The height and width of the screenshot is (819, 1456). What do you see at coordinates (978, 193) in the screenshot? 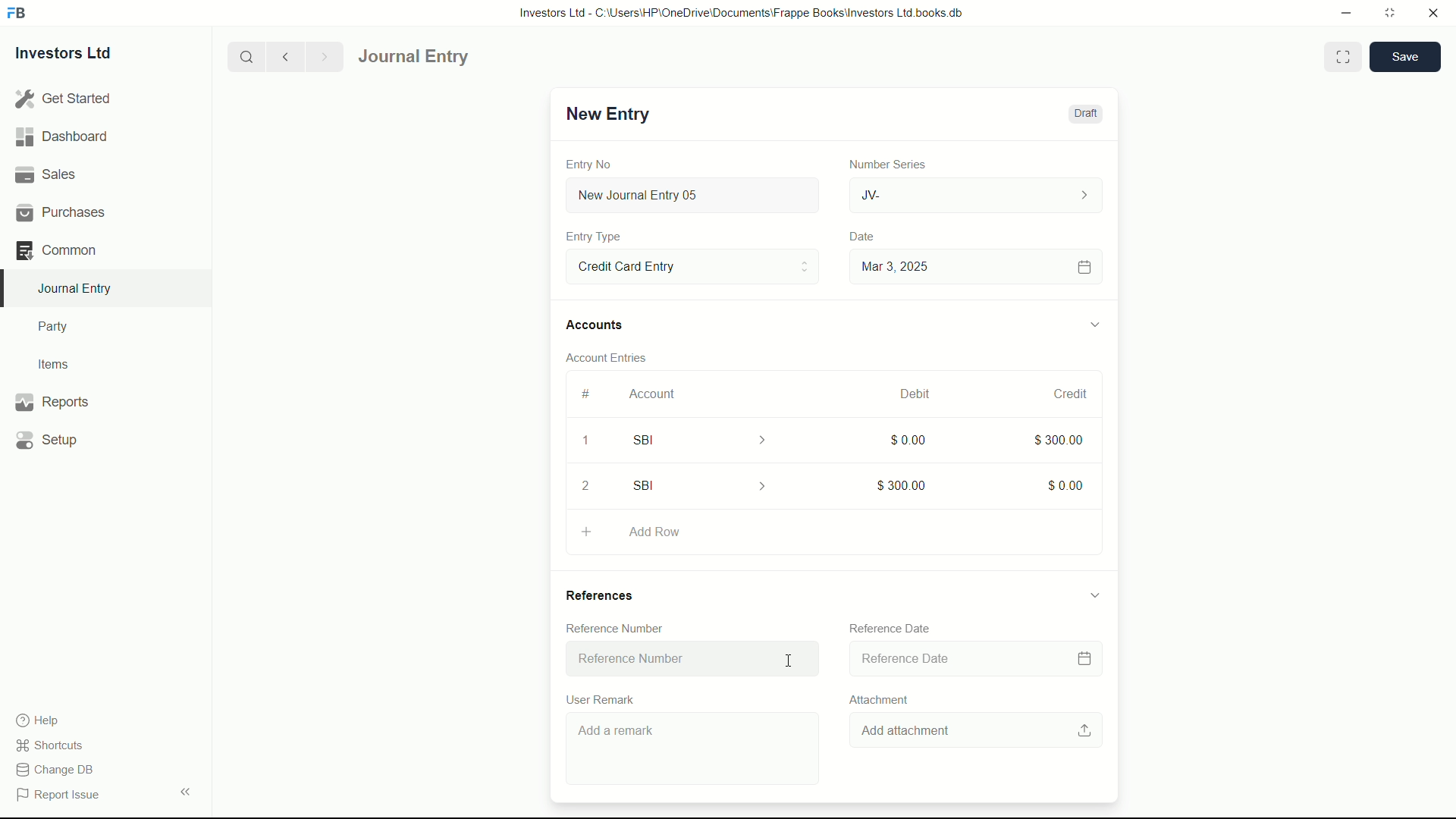
I see `JV` at bounding box center [978, 193].